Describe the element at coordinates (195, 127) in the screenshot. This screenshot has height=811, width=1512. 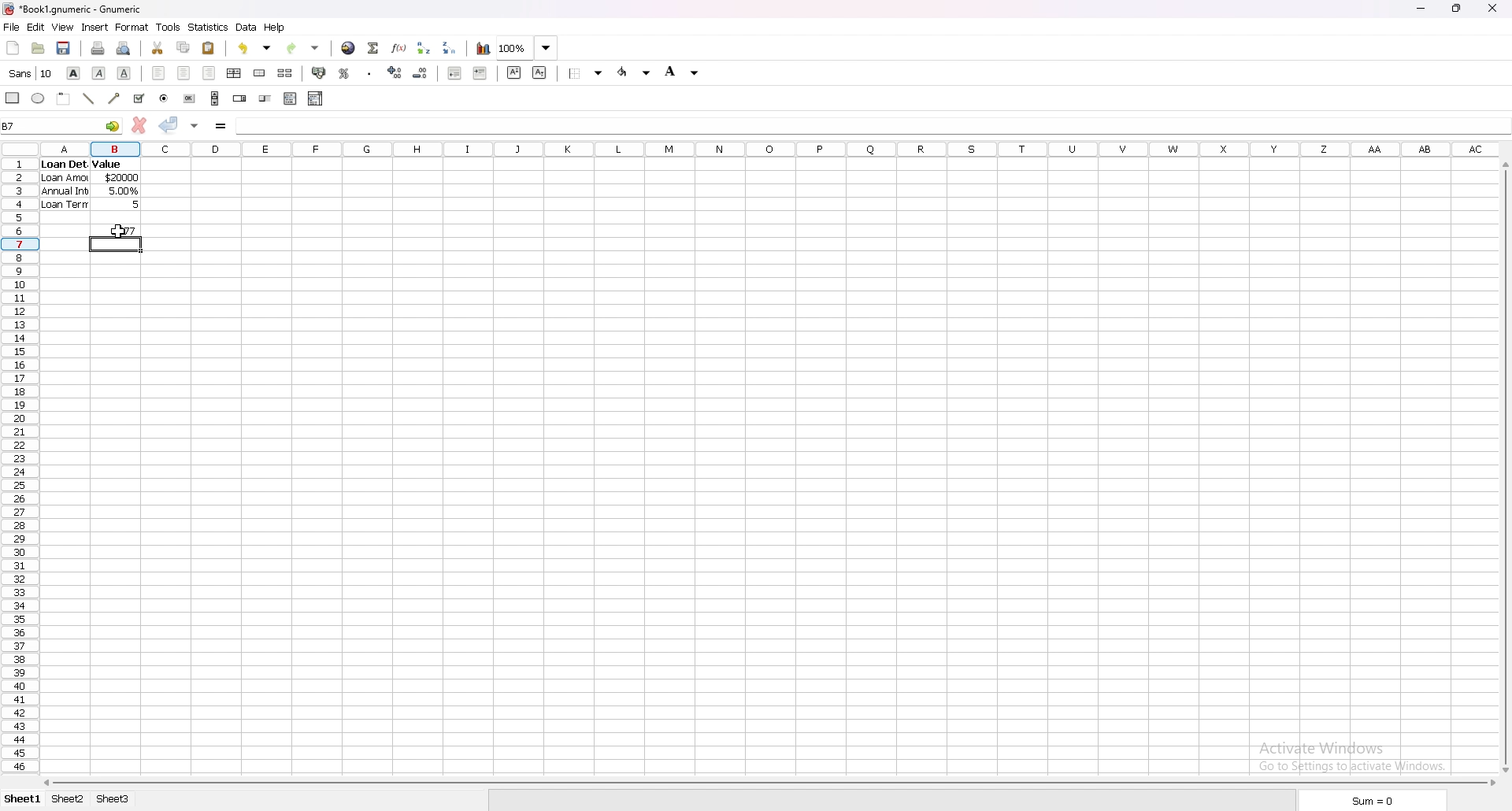
I see `accept changes in all cells` at that location.